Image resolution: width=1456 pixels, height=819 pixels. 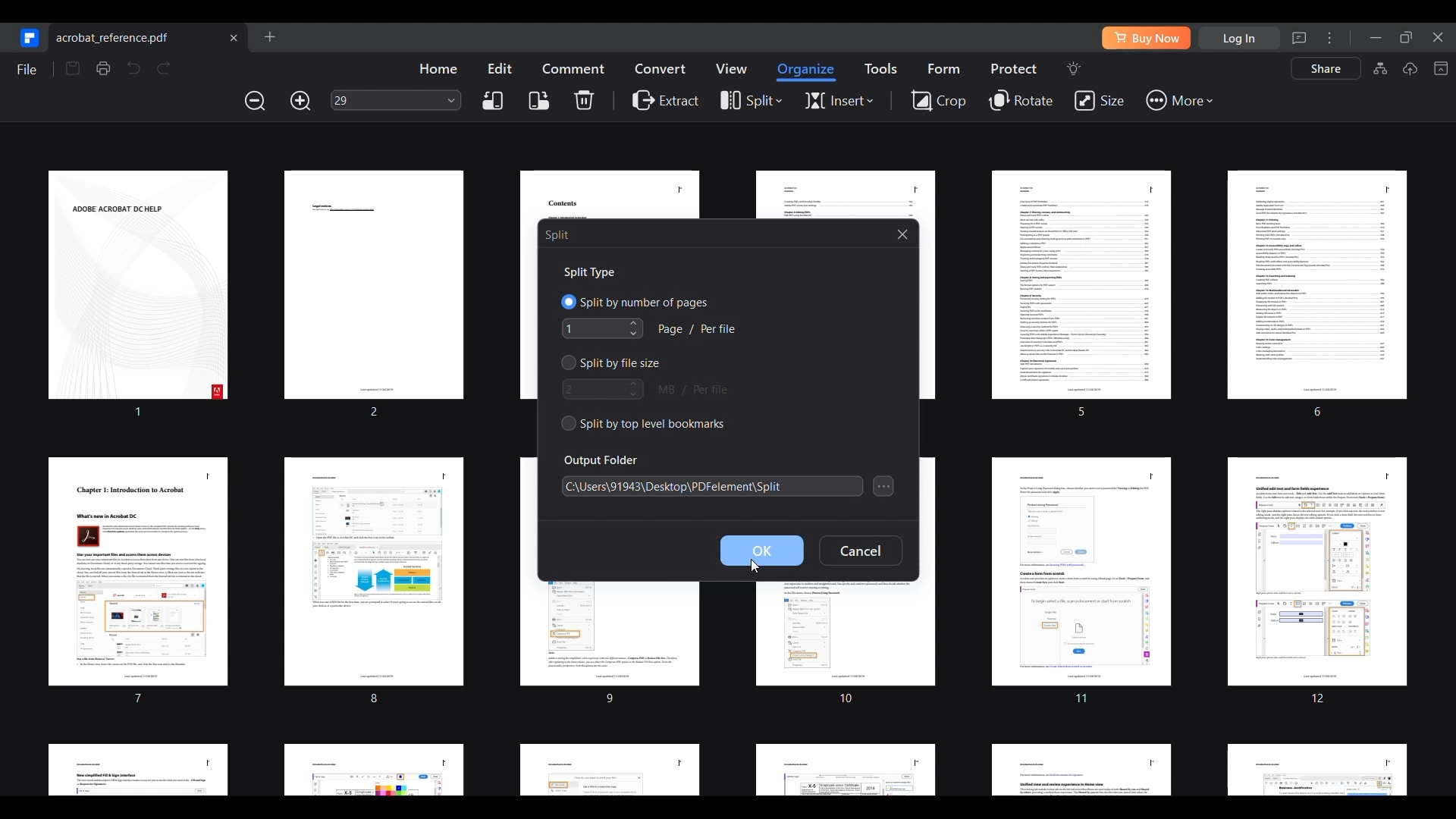 I want to click on Right rotate, so click(x=539, y=101).